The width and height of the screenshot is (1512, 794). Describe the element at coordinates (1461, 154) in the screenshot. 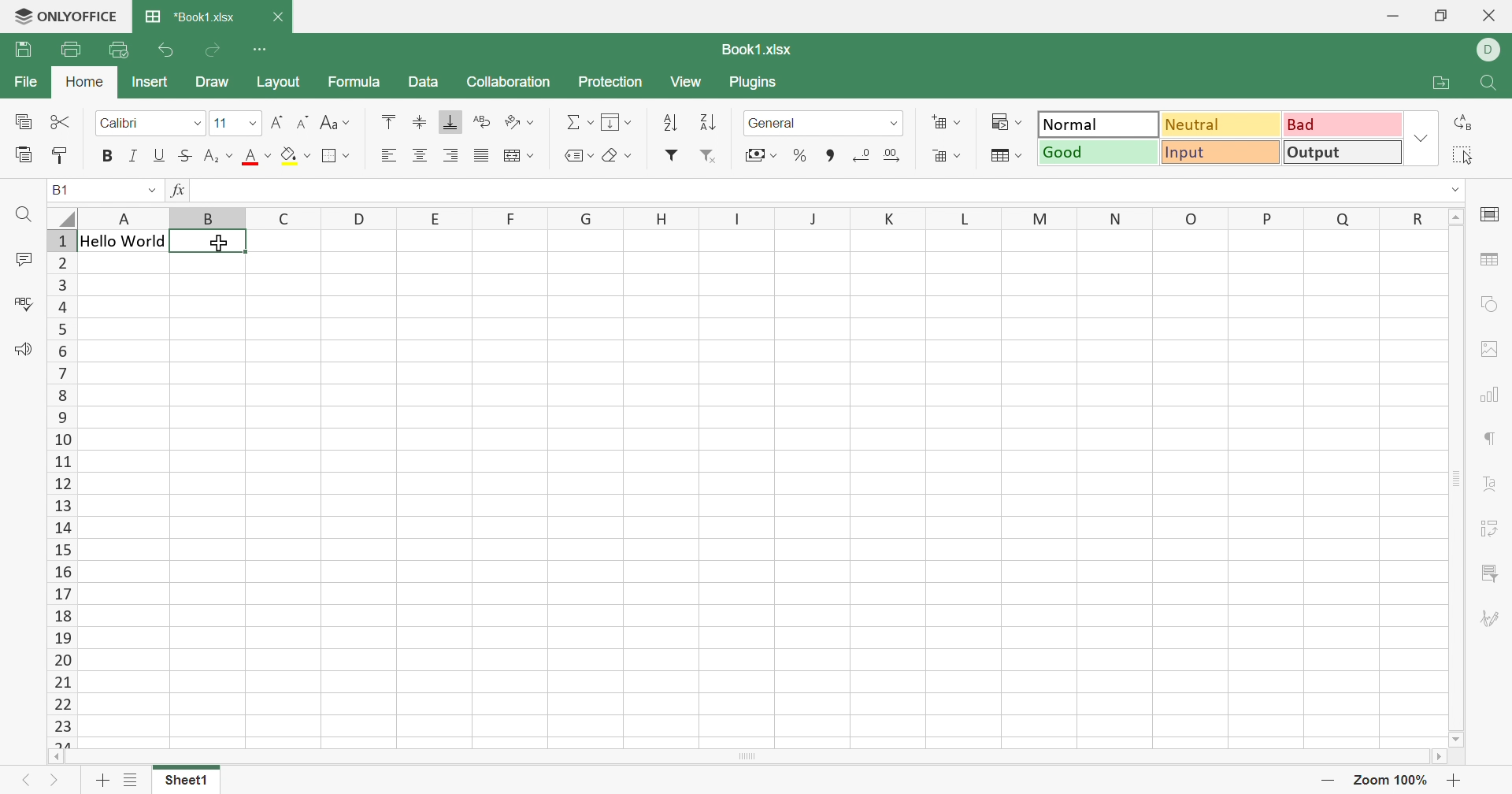

I see `Select all` at that location.